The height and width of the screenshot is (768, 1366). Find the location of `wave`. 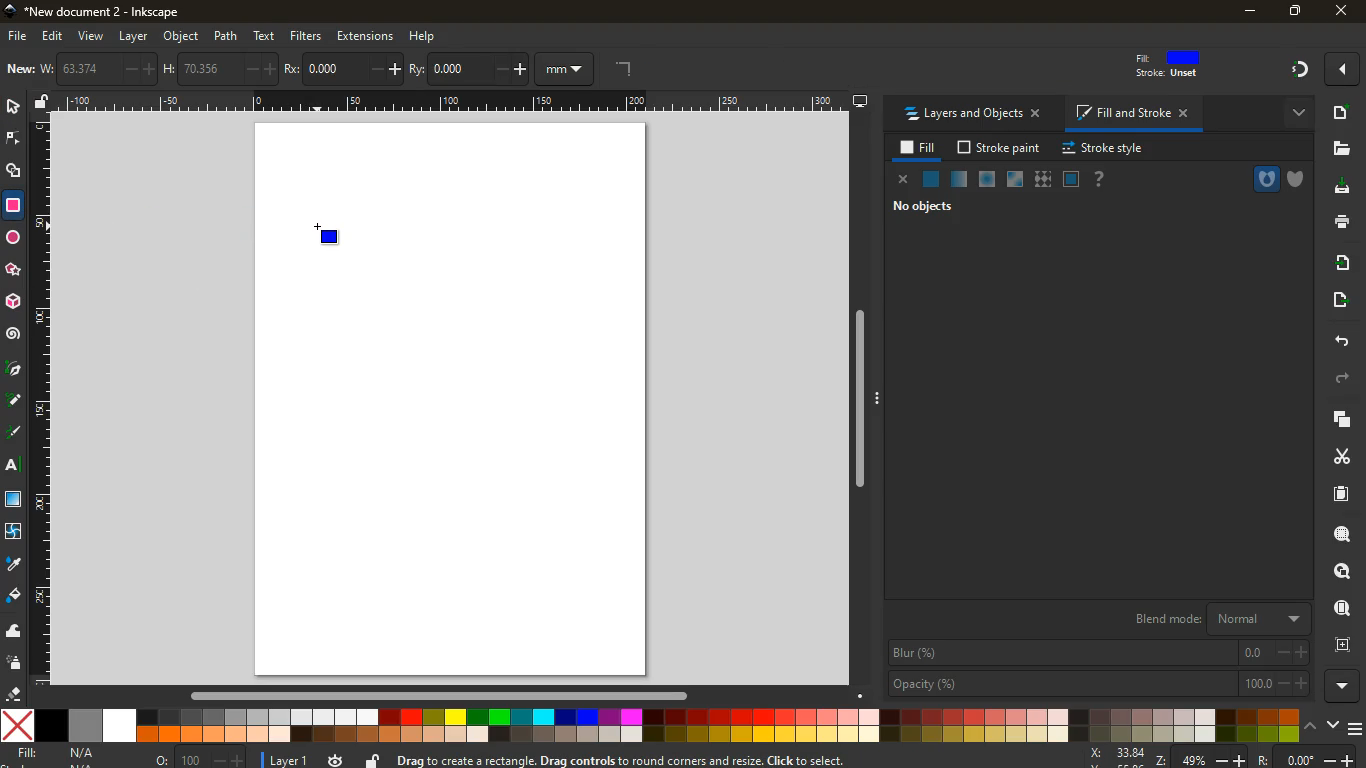

wave is located at coordinates (14, 631).